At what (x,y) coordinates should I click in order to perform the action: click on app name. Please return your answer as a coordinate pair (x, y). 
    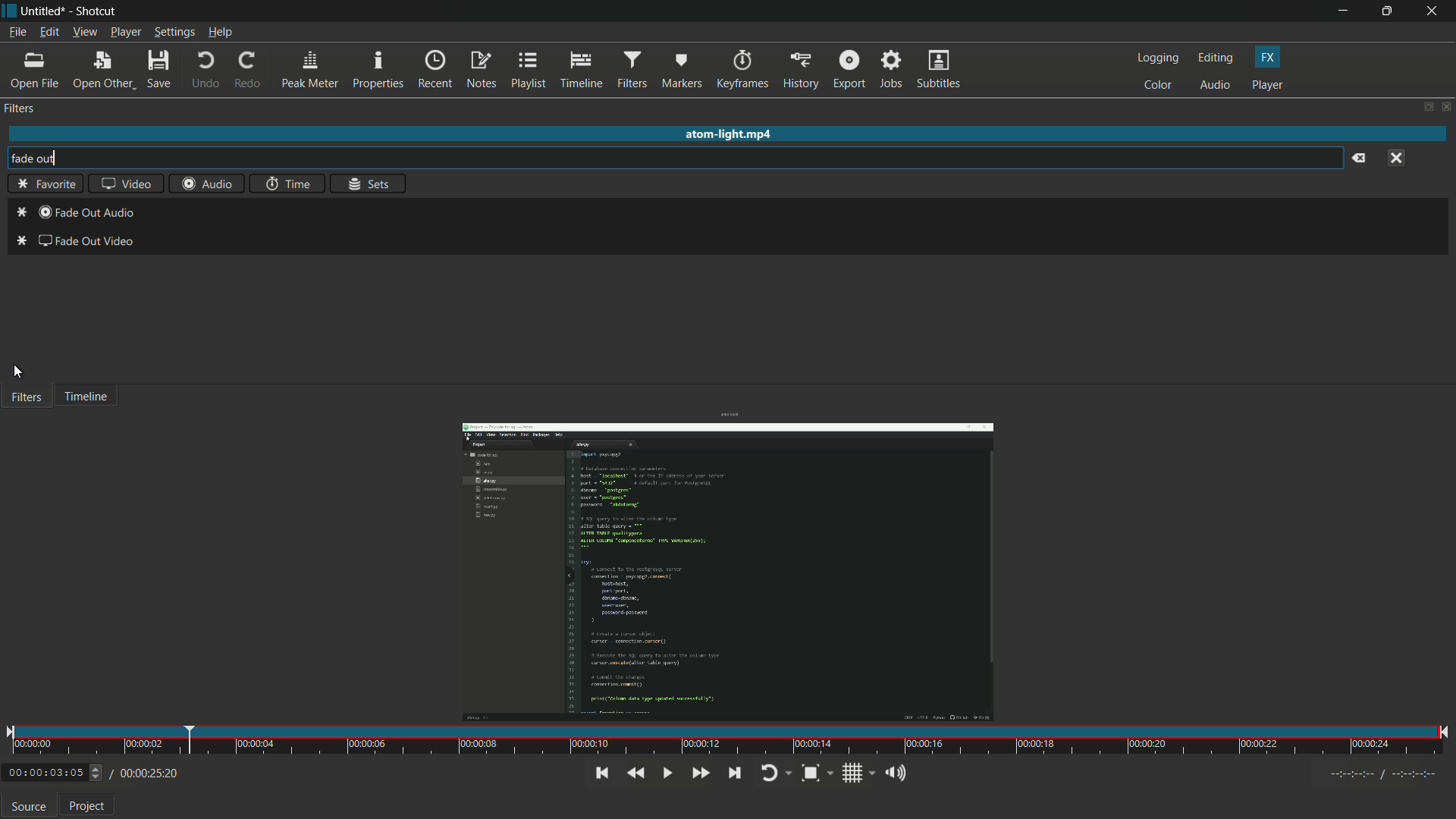
    Looking at the image, I should click on (98, 11).